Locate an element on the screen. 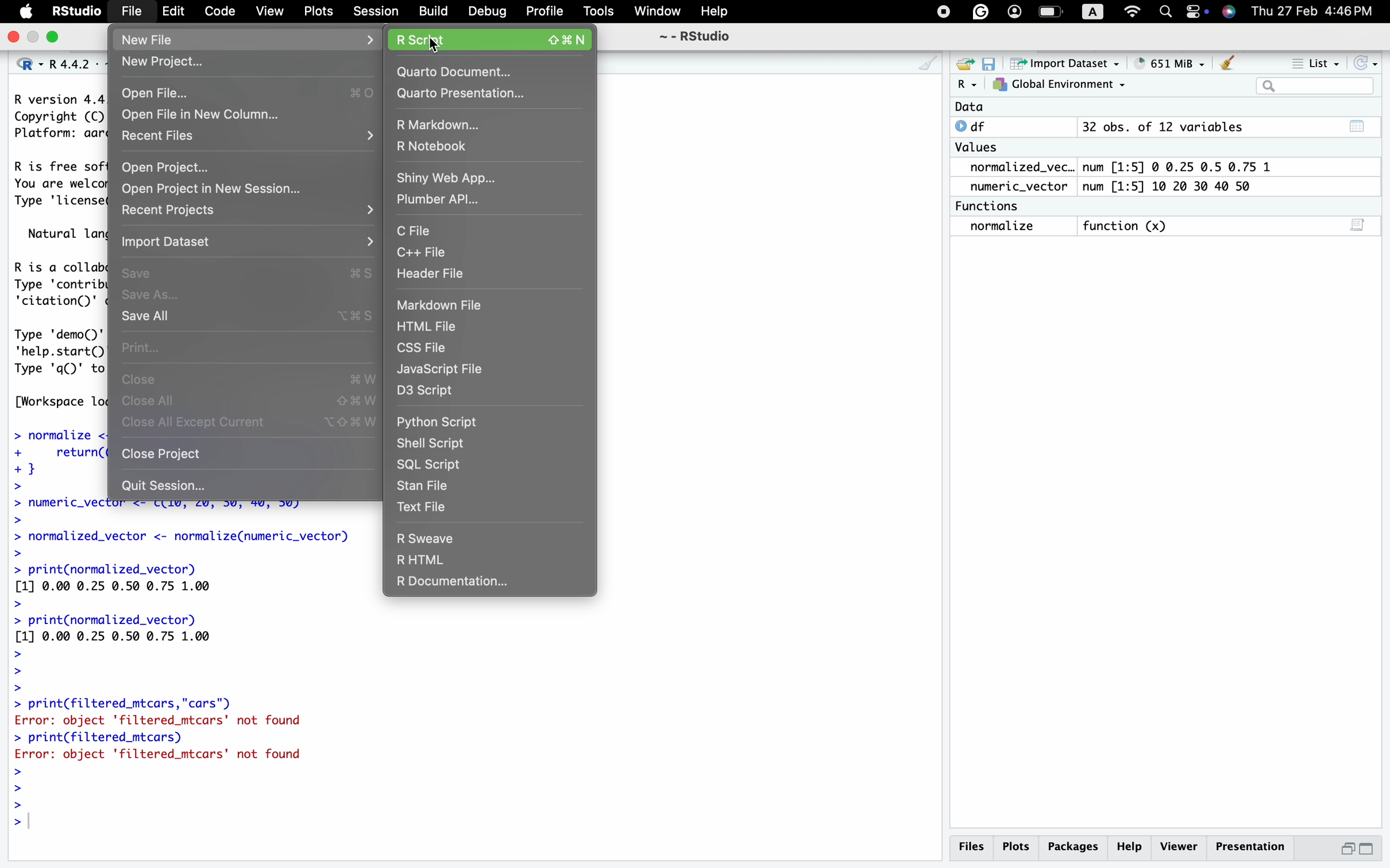 The height and width of the screenshot is (868, 1390). Save is located at coordinates (242, 273).